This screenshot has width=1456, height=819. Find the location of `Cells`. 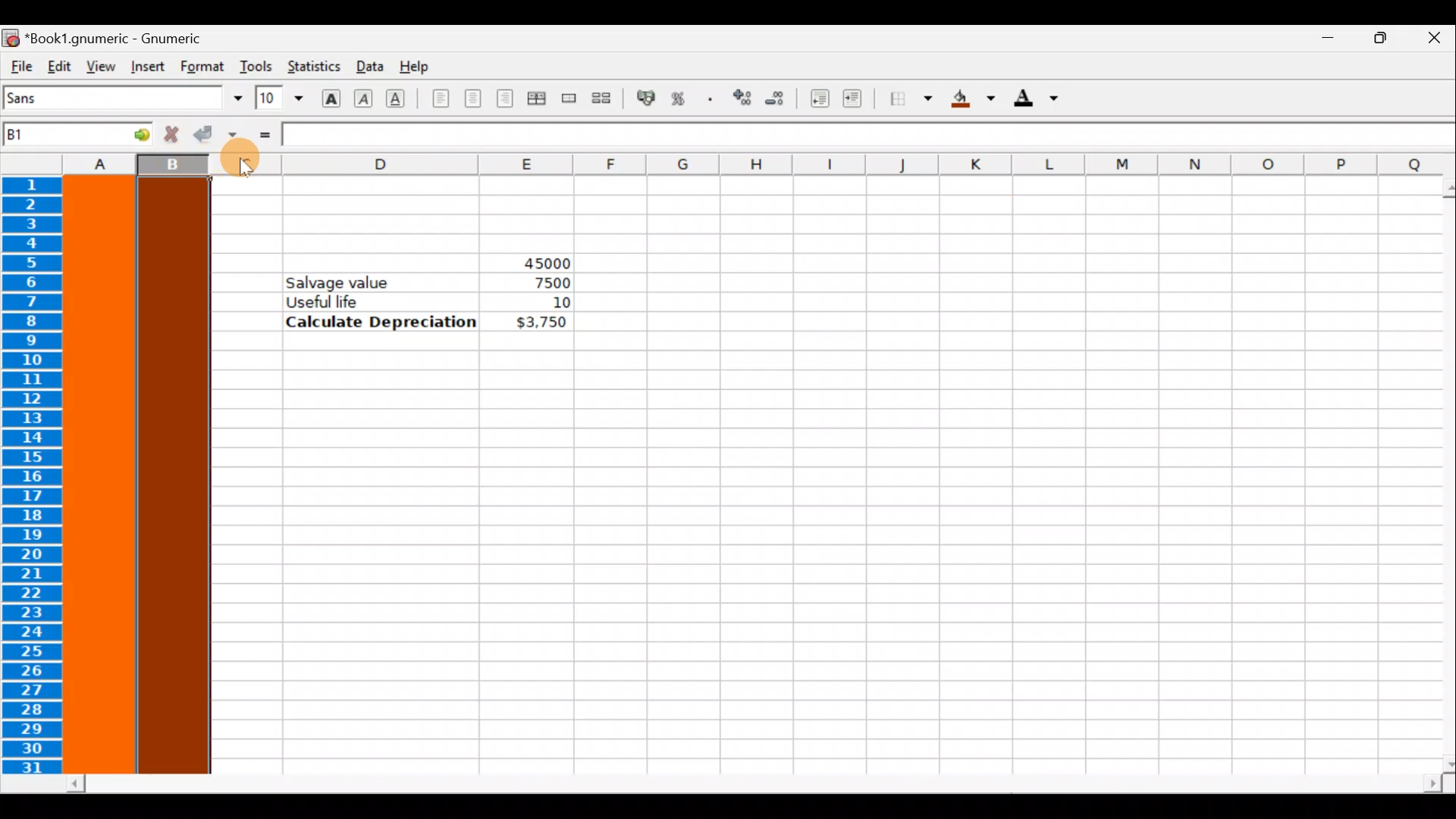

Cells is located at coordinates (800, 571).